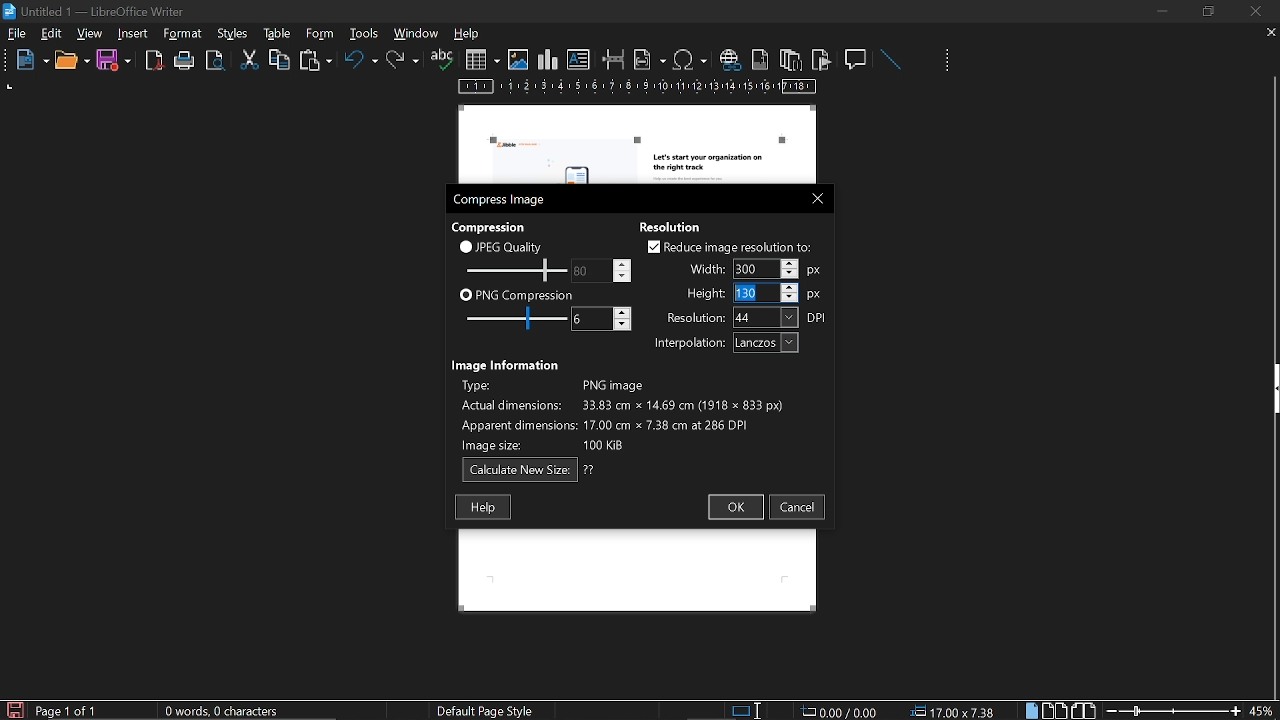 The image size is (1280, 720). What do you see at coordinates (417, 33) in the screenshot?
I see `window` at bounding box center [417, 33].